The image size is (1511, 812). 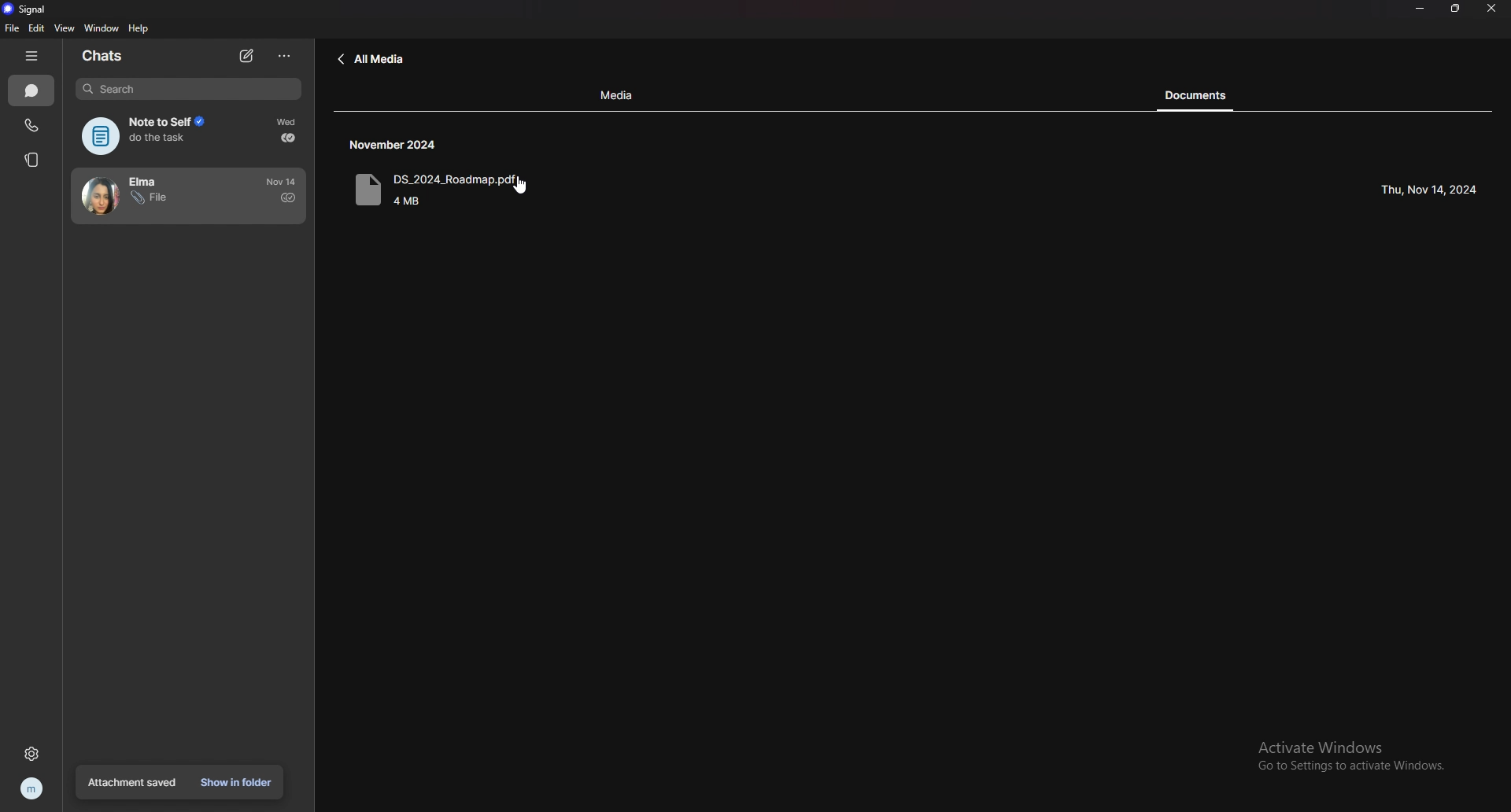 I want to click on time, so click(x=289, y=122).